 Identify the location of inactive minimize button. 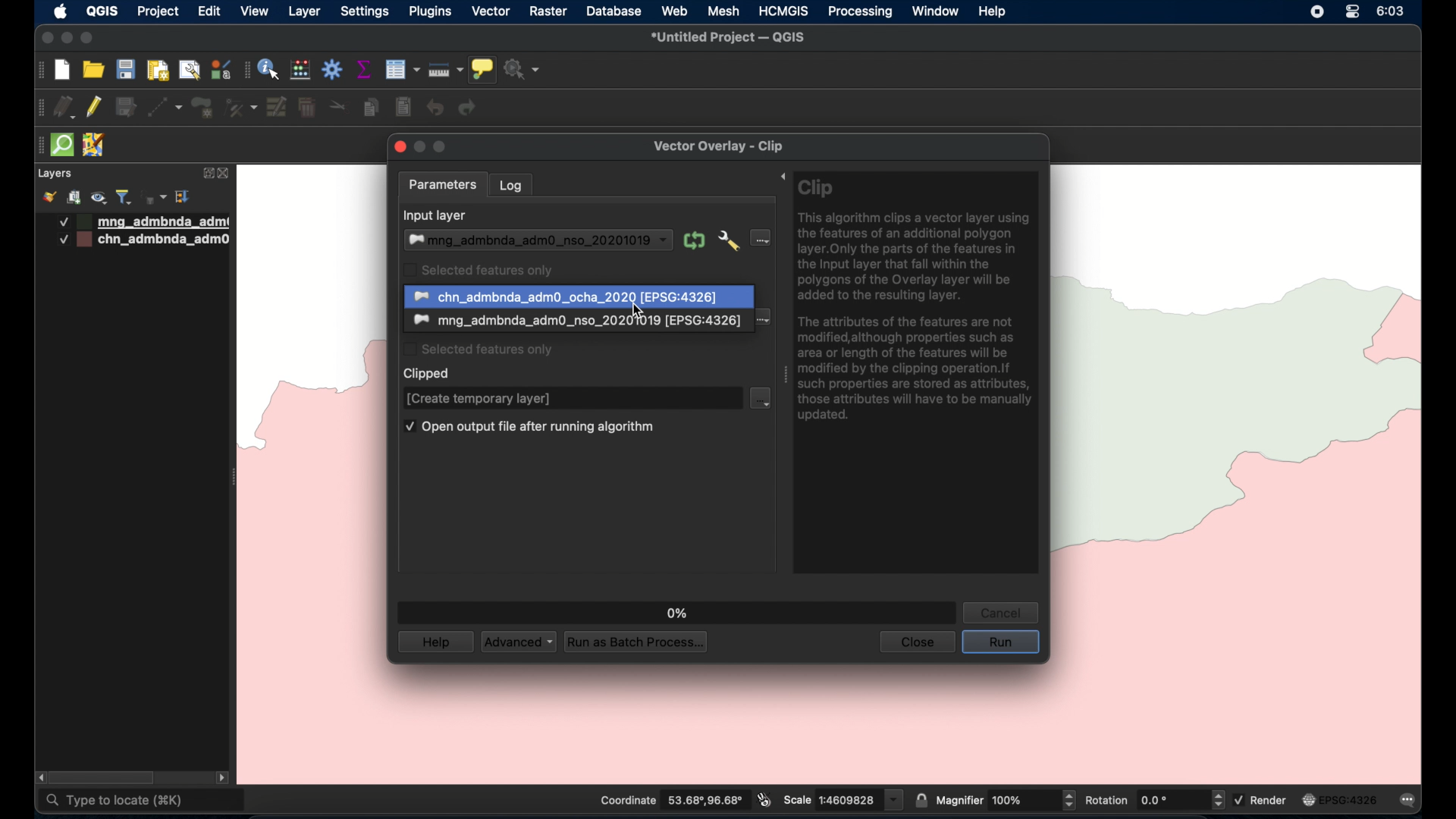
(419, 148).